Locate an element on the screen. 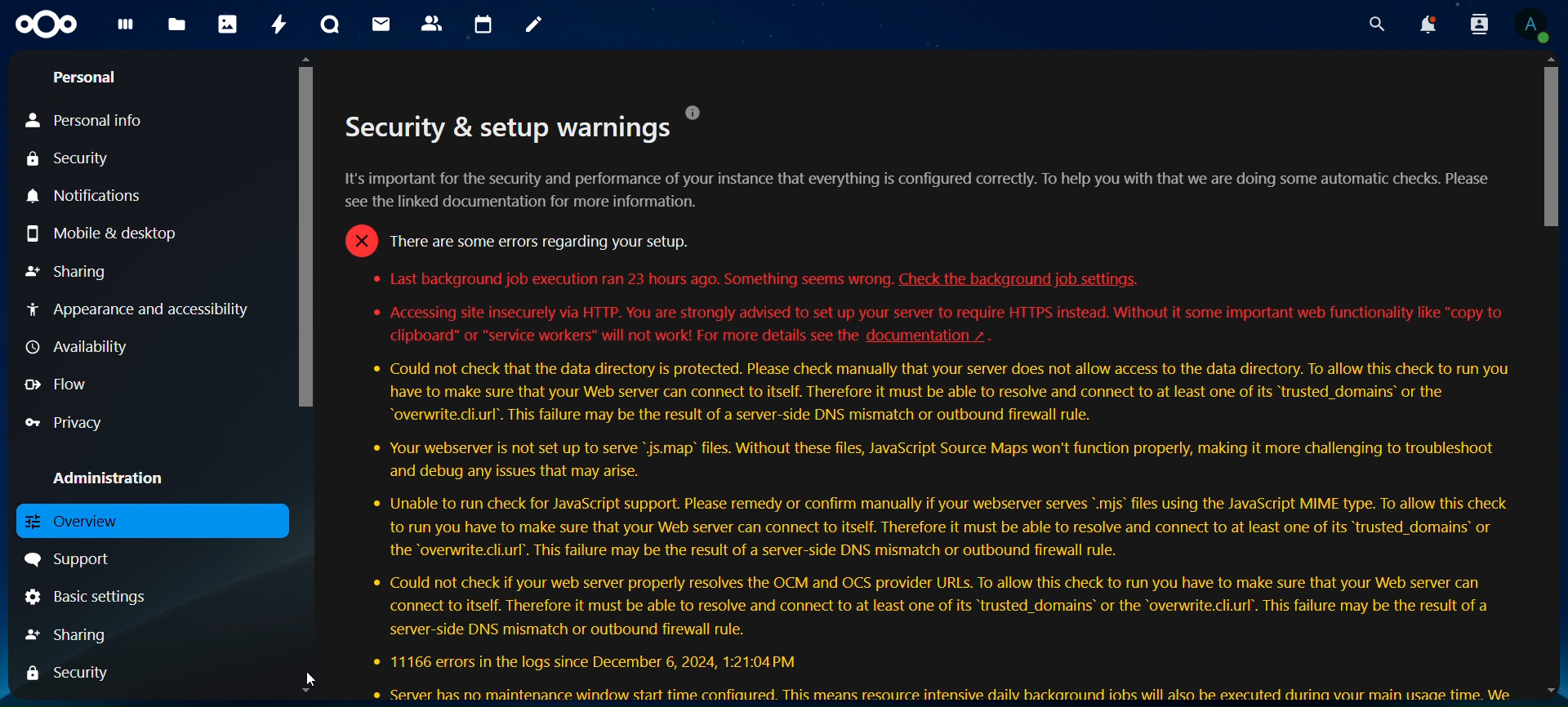  View Profile is located at coordinates (1536, 26).